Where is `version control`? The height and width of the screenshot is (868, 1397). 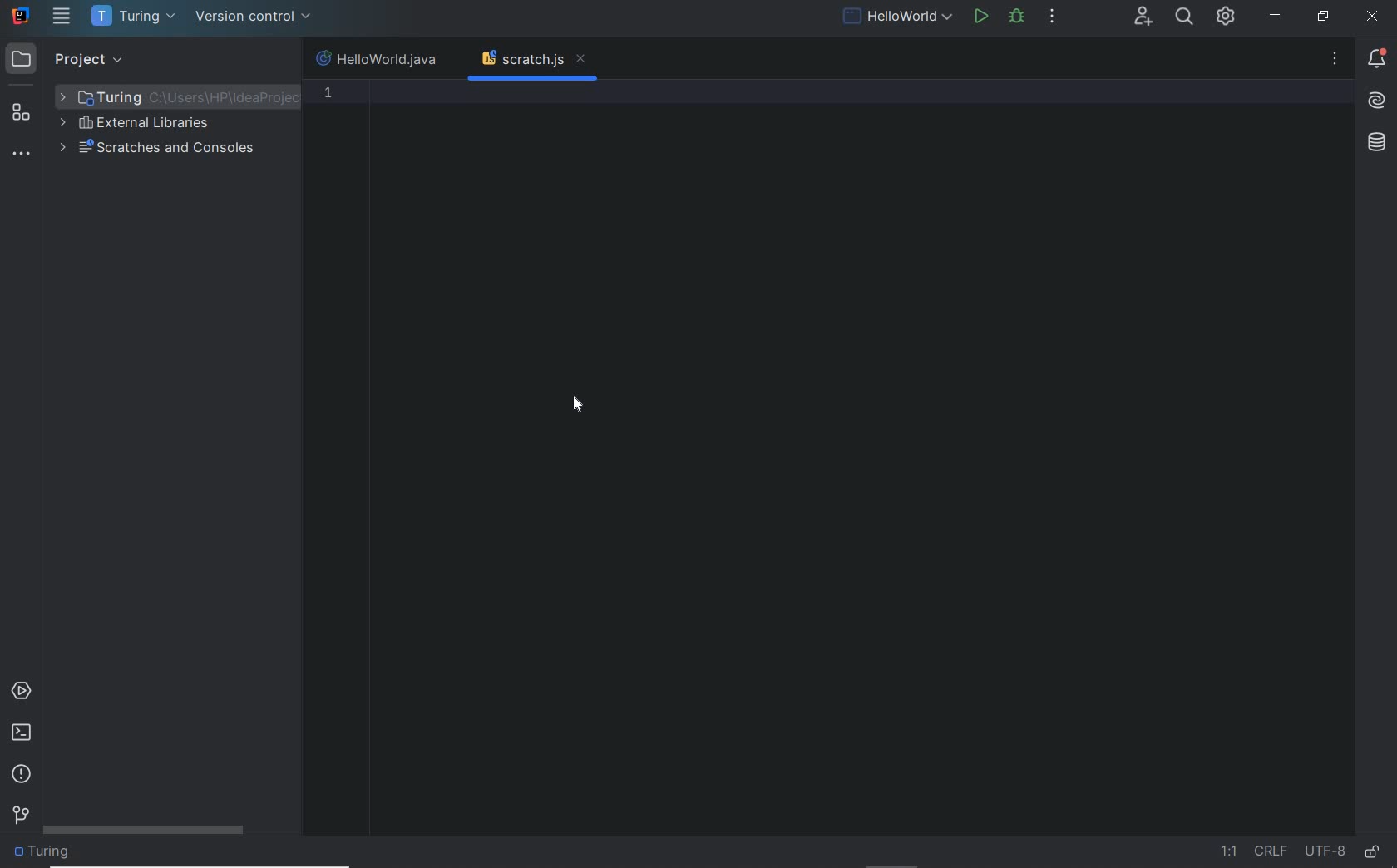
version control is located at coordinates (255, 18).